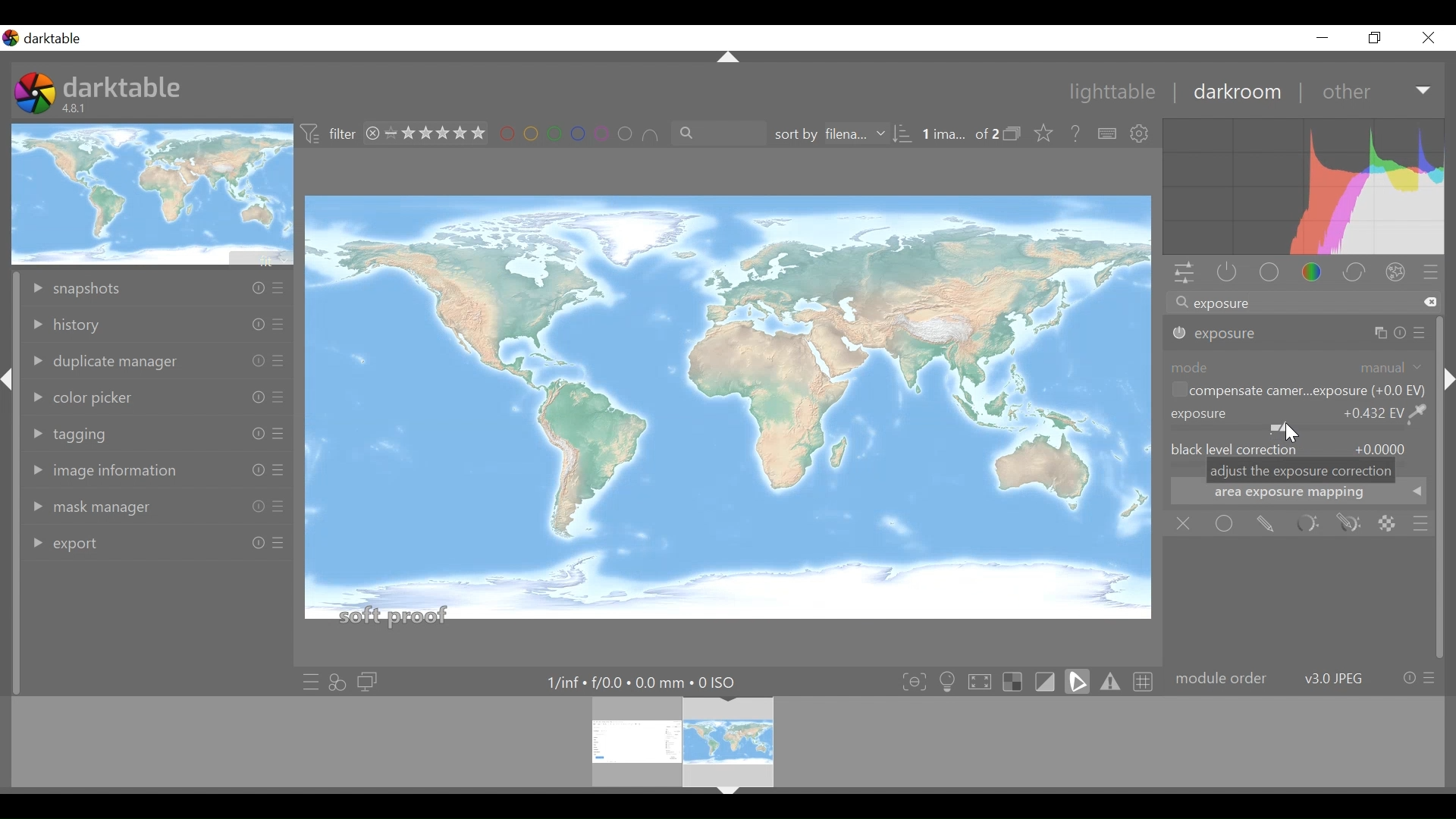 The height and width of the screenshot is (819, 1456). Describe the element at coordinates (648, 682) in the screenshot. I see `Maximum Exposure` at that location.